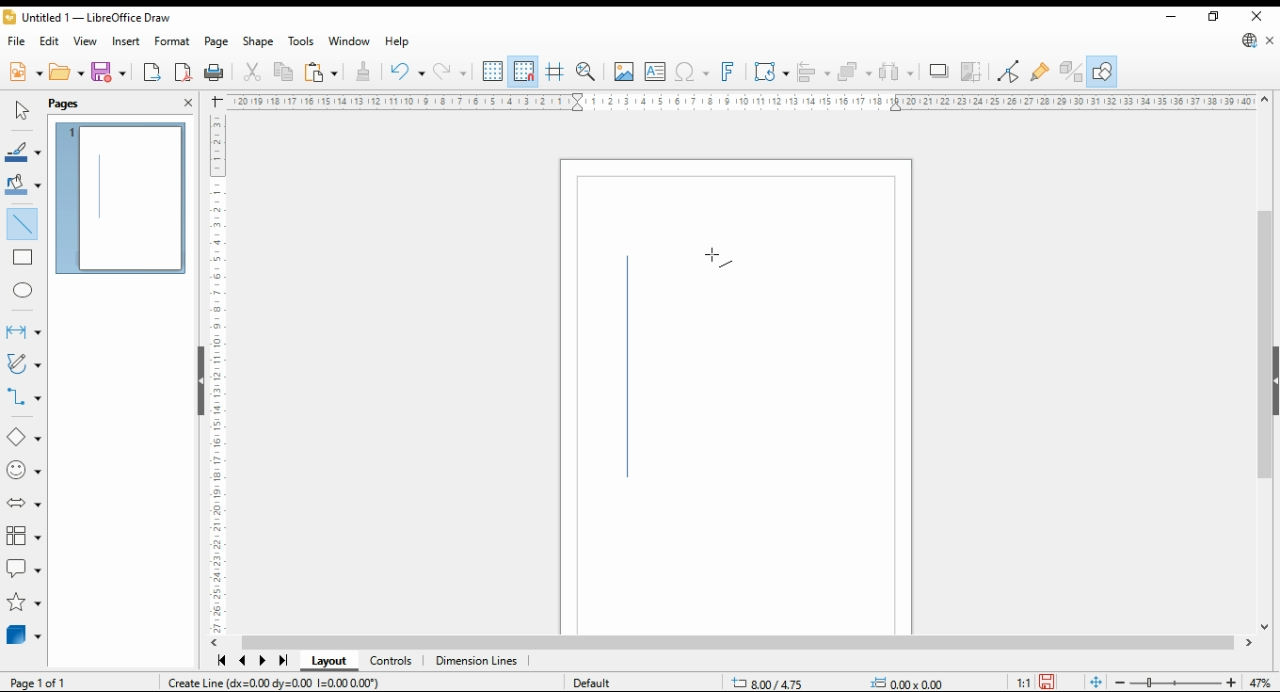 The width and height of the screenshot is (1280, 692). Describe the element at coordinates (24, 569) in the screenshot. I see `callout shapes` at that location.